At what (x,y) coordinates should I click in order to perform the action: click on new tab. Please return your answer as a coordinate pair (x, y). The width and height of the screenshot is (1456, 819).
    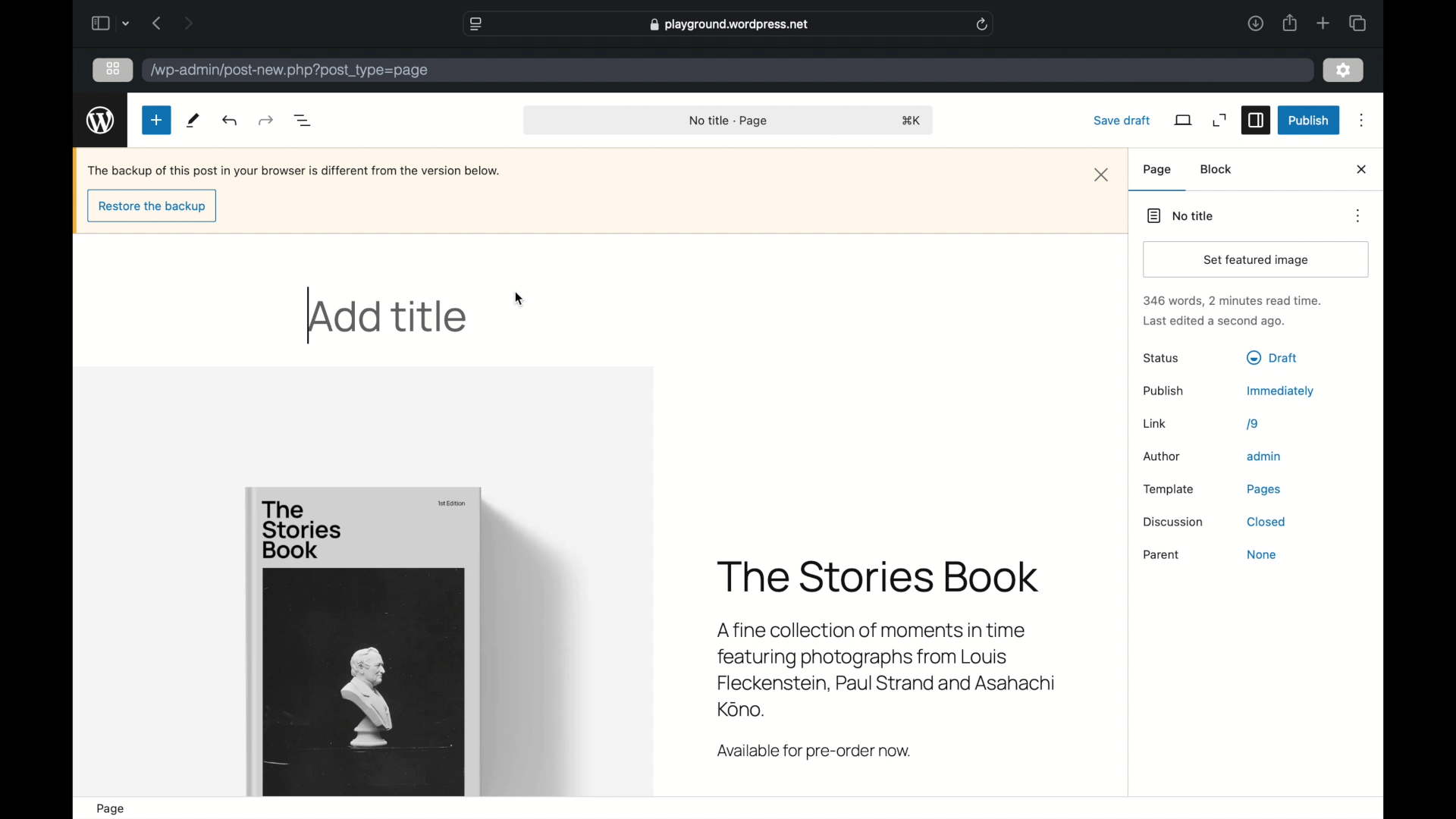
    Looking at the image, I should click on (1323, 24).